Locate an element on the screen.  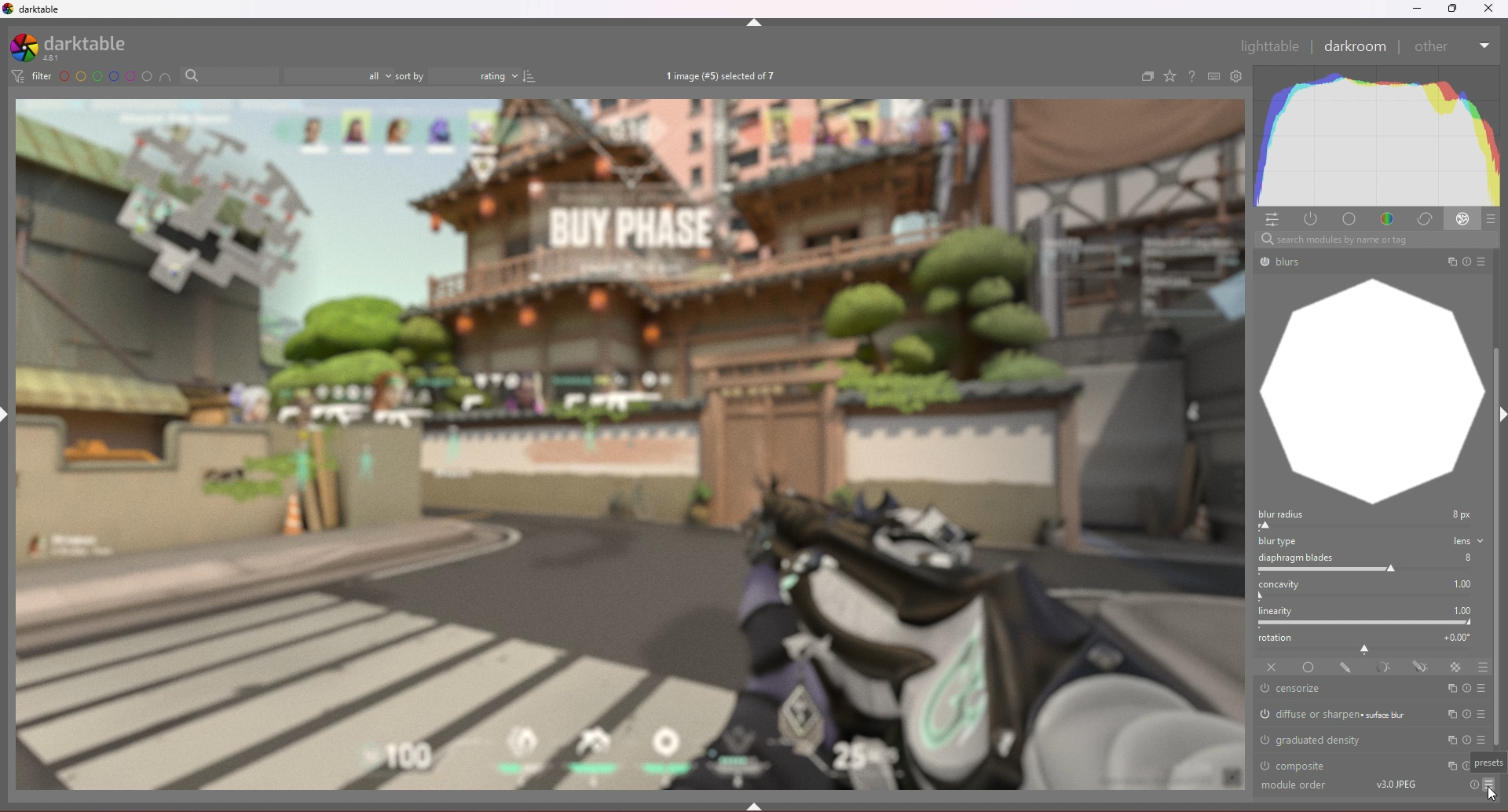
multi instances actions is located at coordinates (1449, 689).